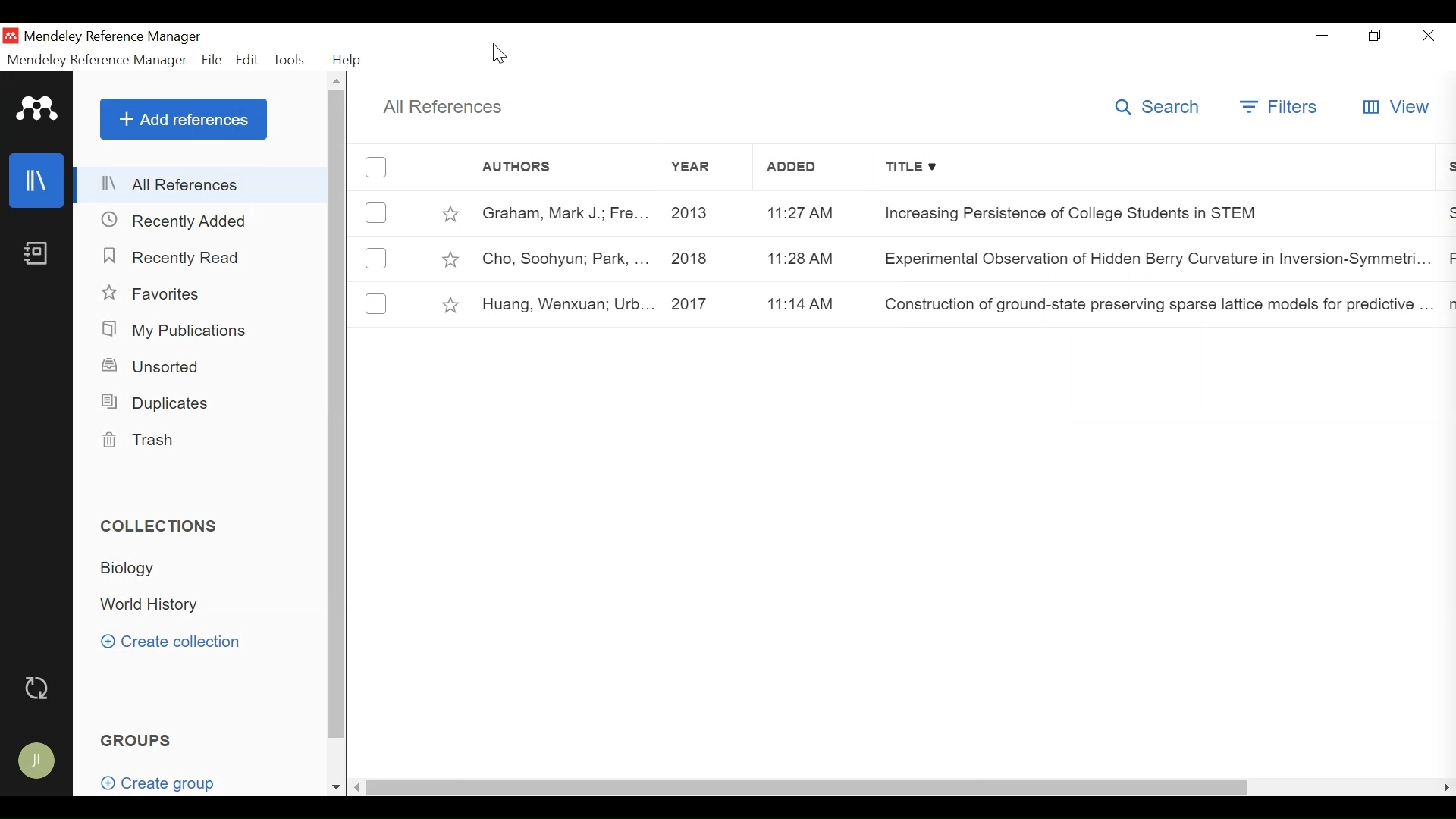  What do you see at coordinates (704, 260) in the screenshot?
I see `Year` at bounding box center [704, 260].